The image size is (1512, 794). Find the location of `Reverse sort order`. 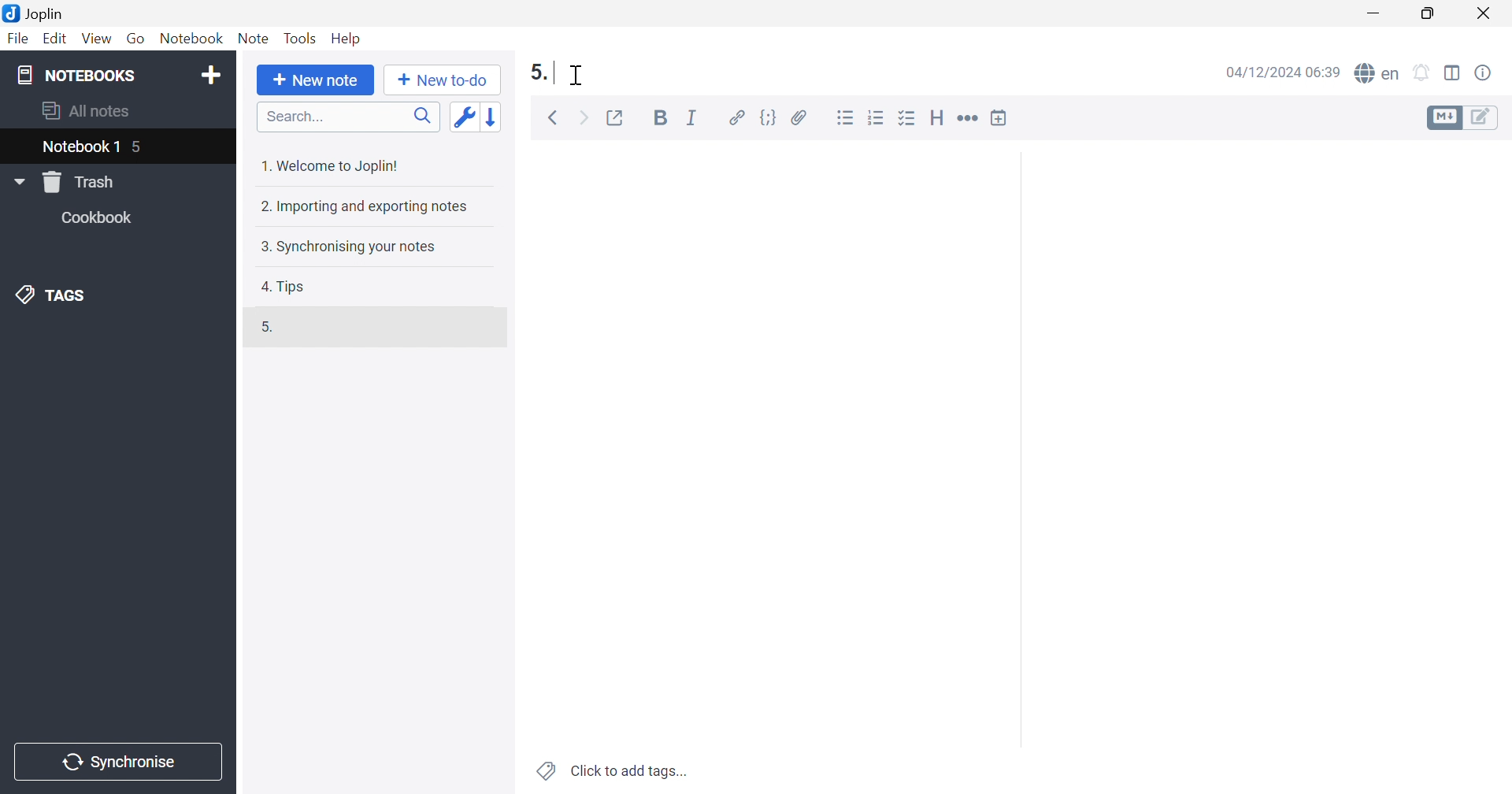

Reverse sort order is located at coordinates (495, 117).